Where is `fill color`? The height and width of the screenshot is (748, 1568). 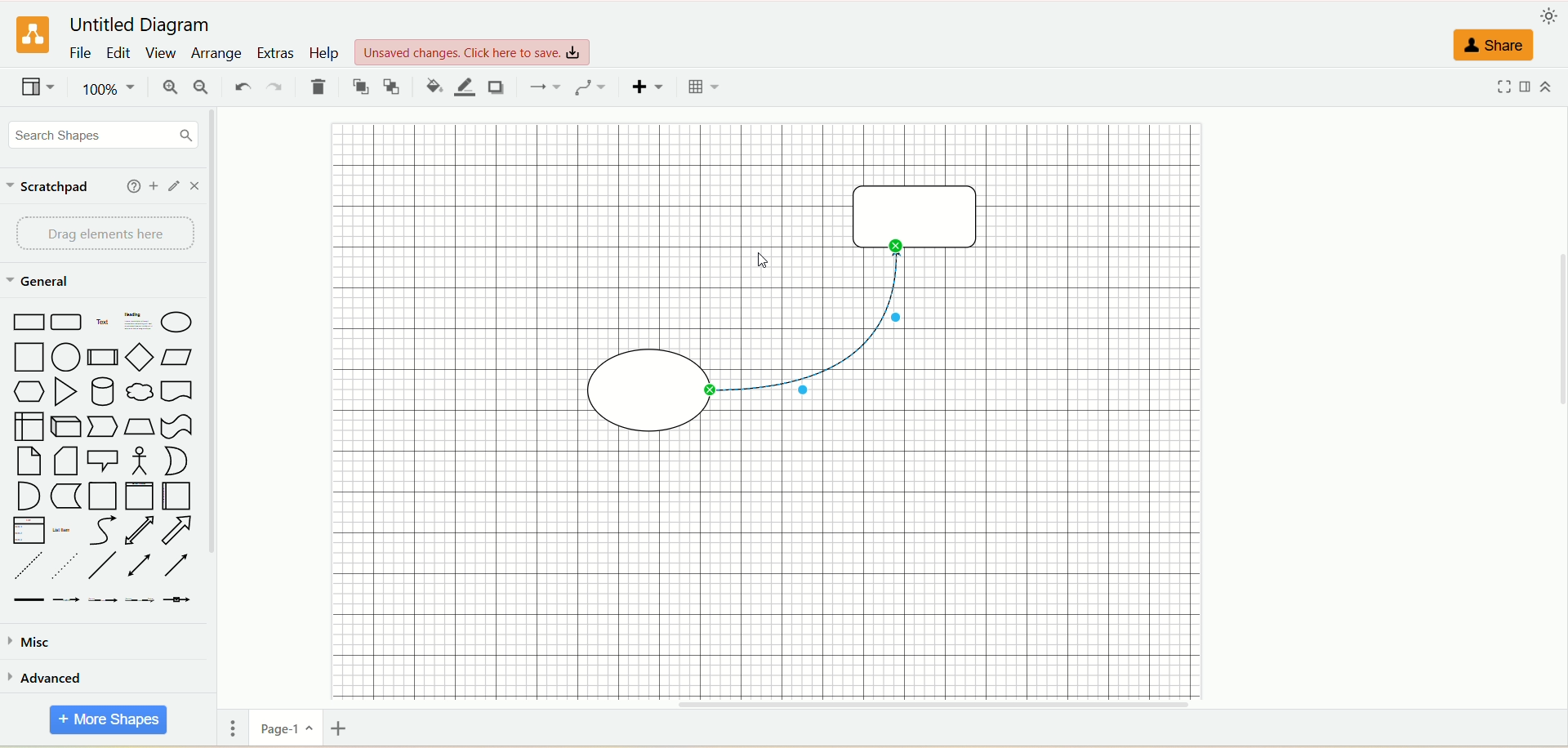
fill color is located at coordinates (432, 86).